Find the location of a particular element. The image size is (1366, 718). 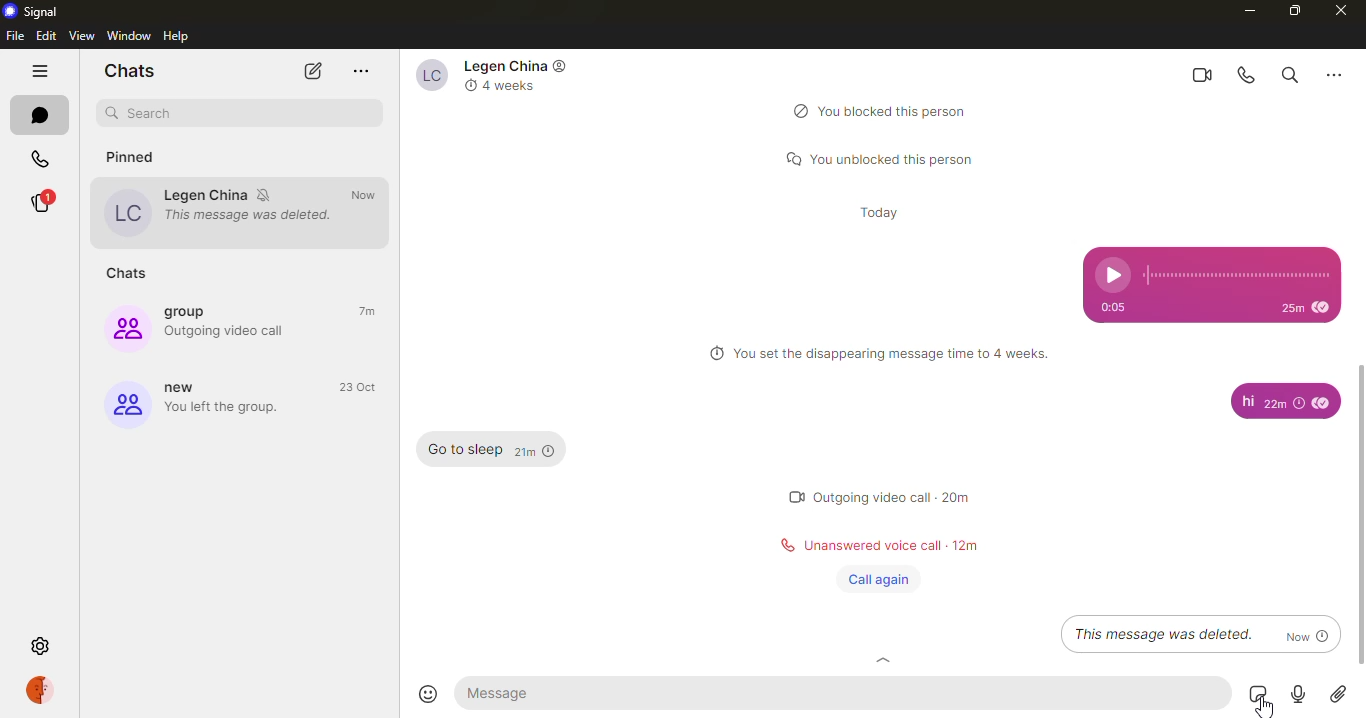

edit is located at coordinates (46, 36).